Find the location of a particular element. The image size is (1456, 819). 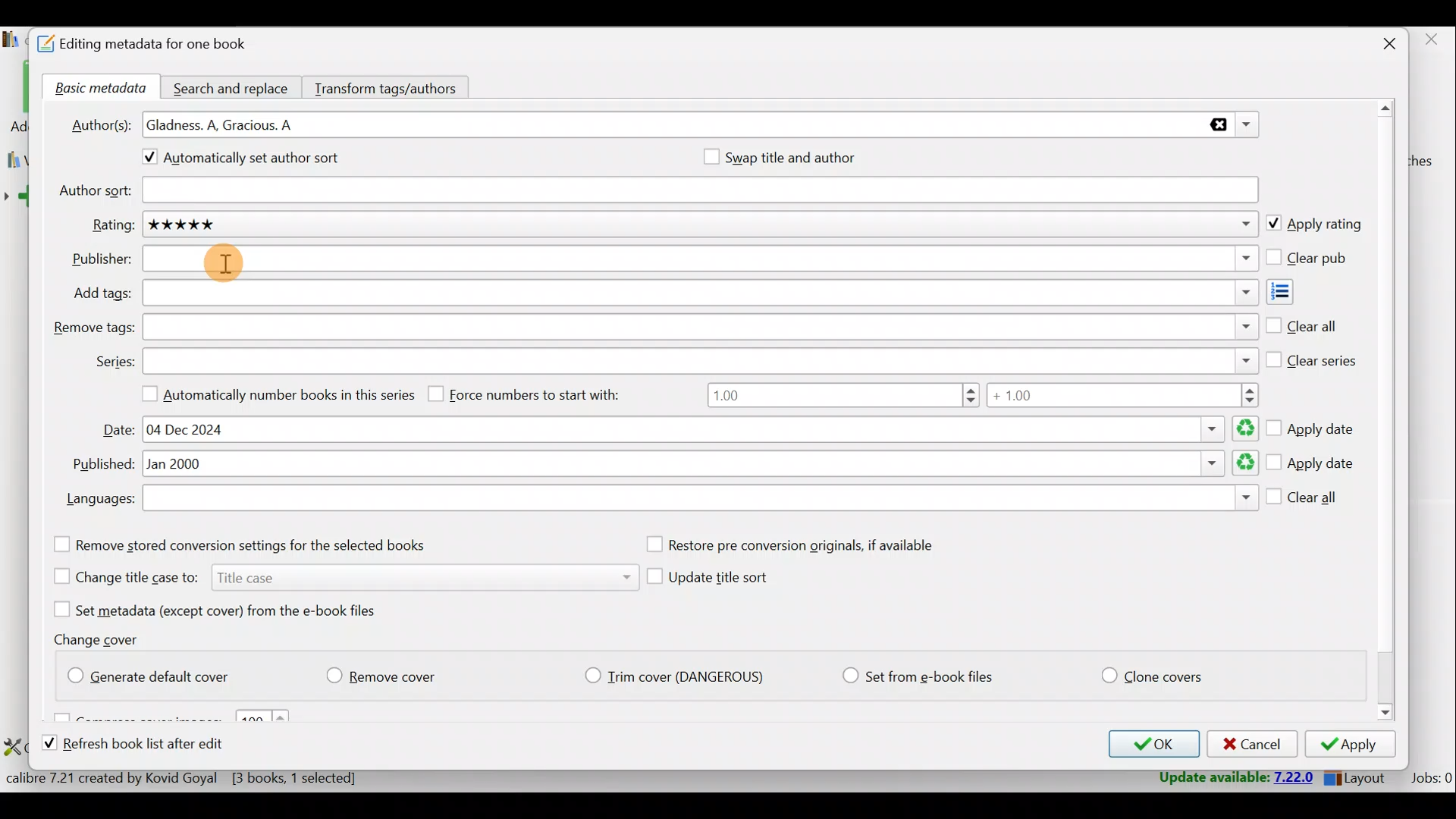

Search and replace is located at coordinates (233, 86).